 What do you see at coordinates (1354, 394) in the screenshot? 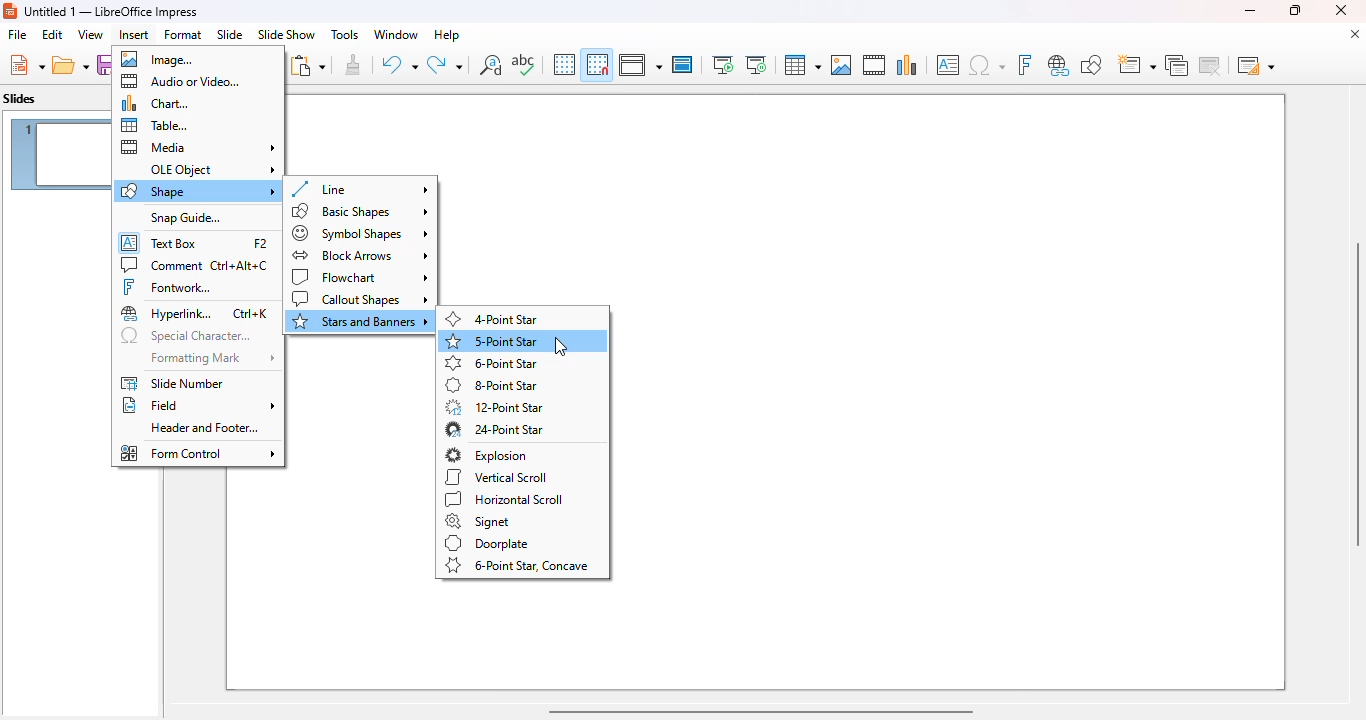
I see `vertical scroll bar` at bounding box center [1354, 394].